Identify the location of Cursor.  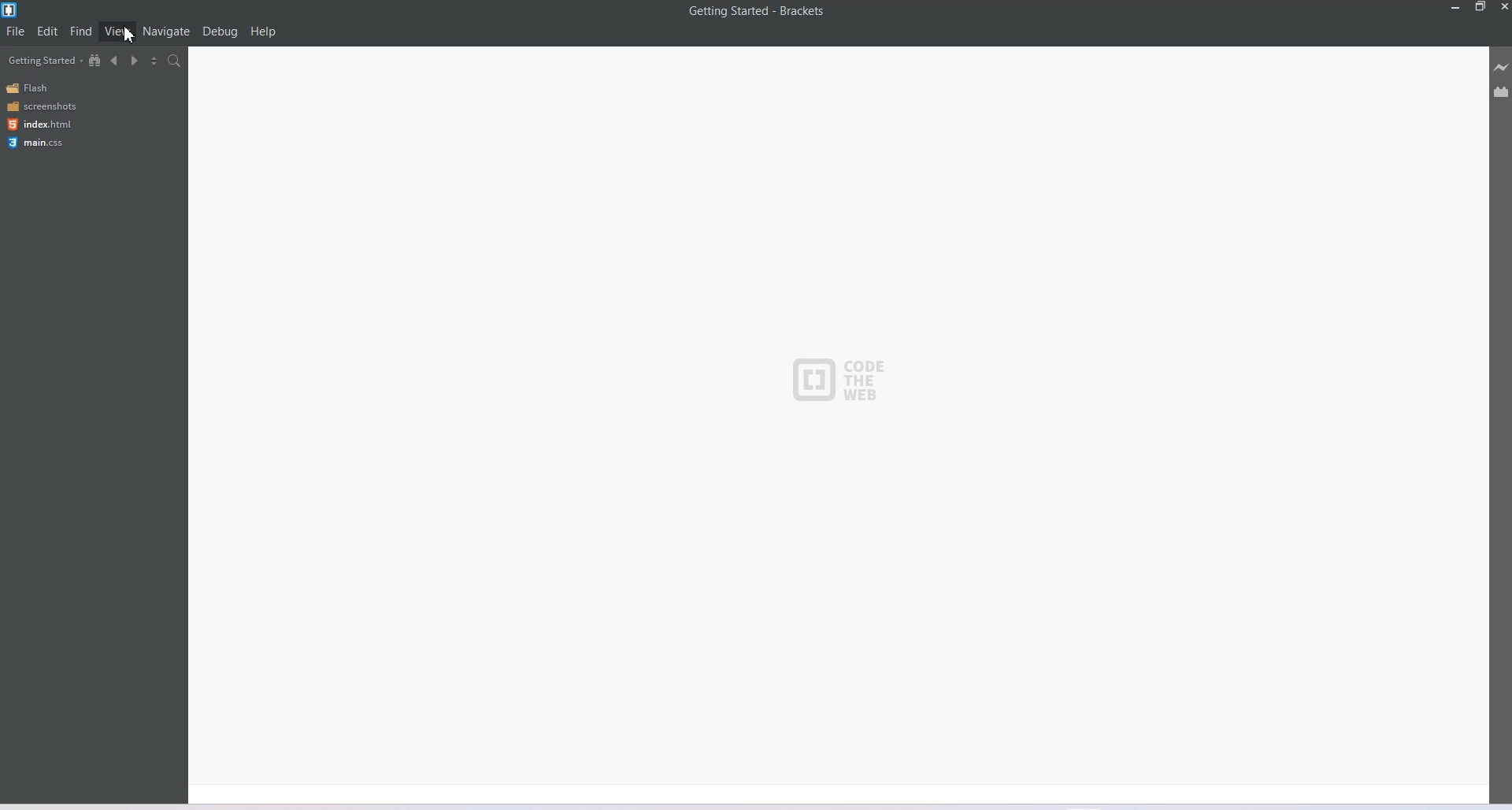
(130, 35).